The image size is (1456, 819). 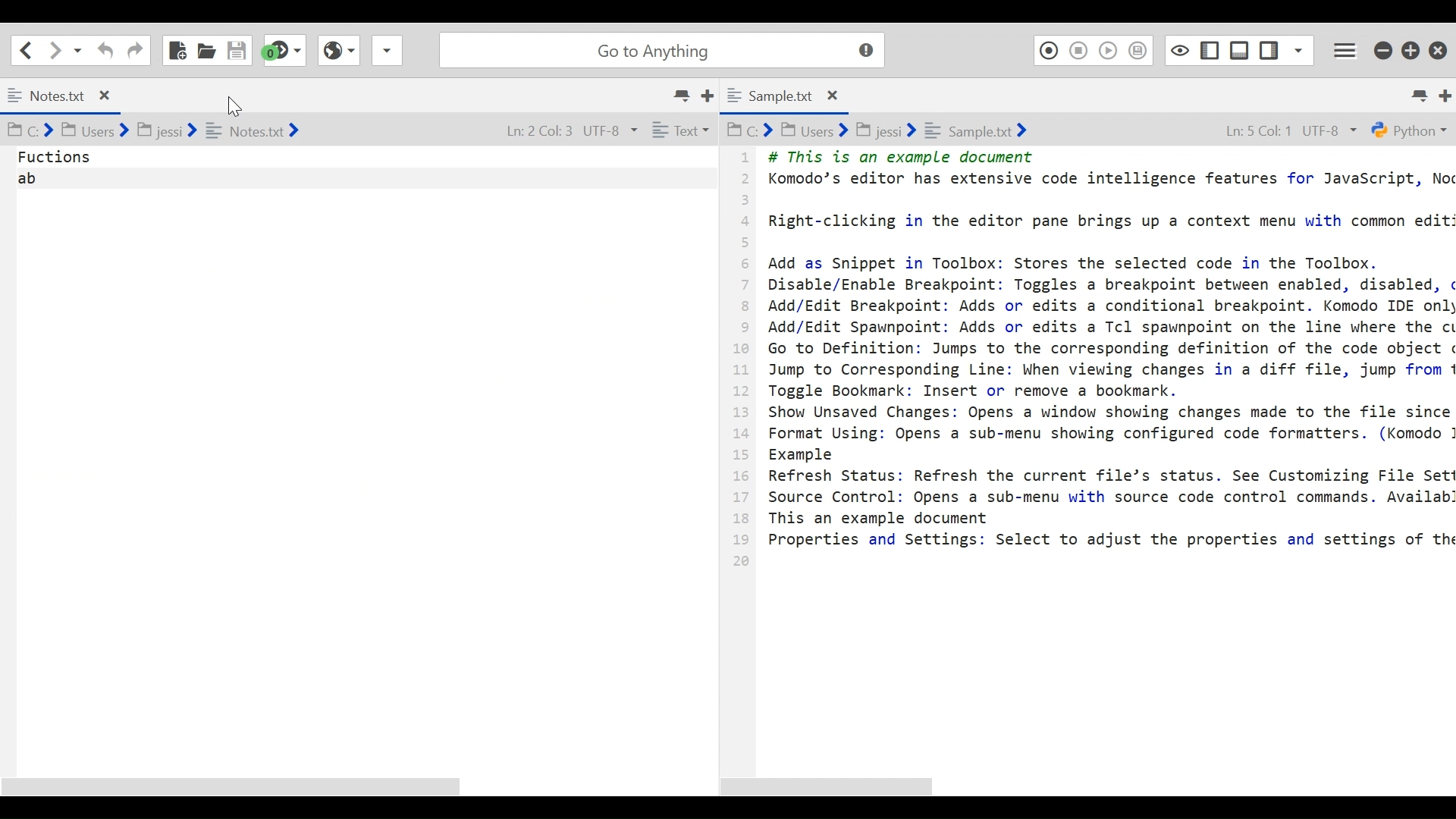 What do you see at coordinates (683, 129) in the screenshot?
I see `Text` at bounding box center [683, 129].